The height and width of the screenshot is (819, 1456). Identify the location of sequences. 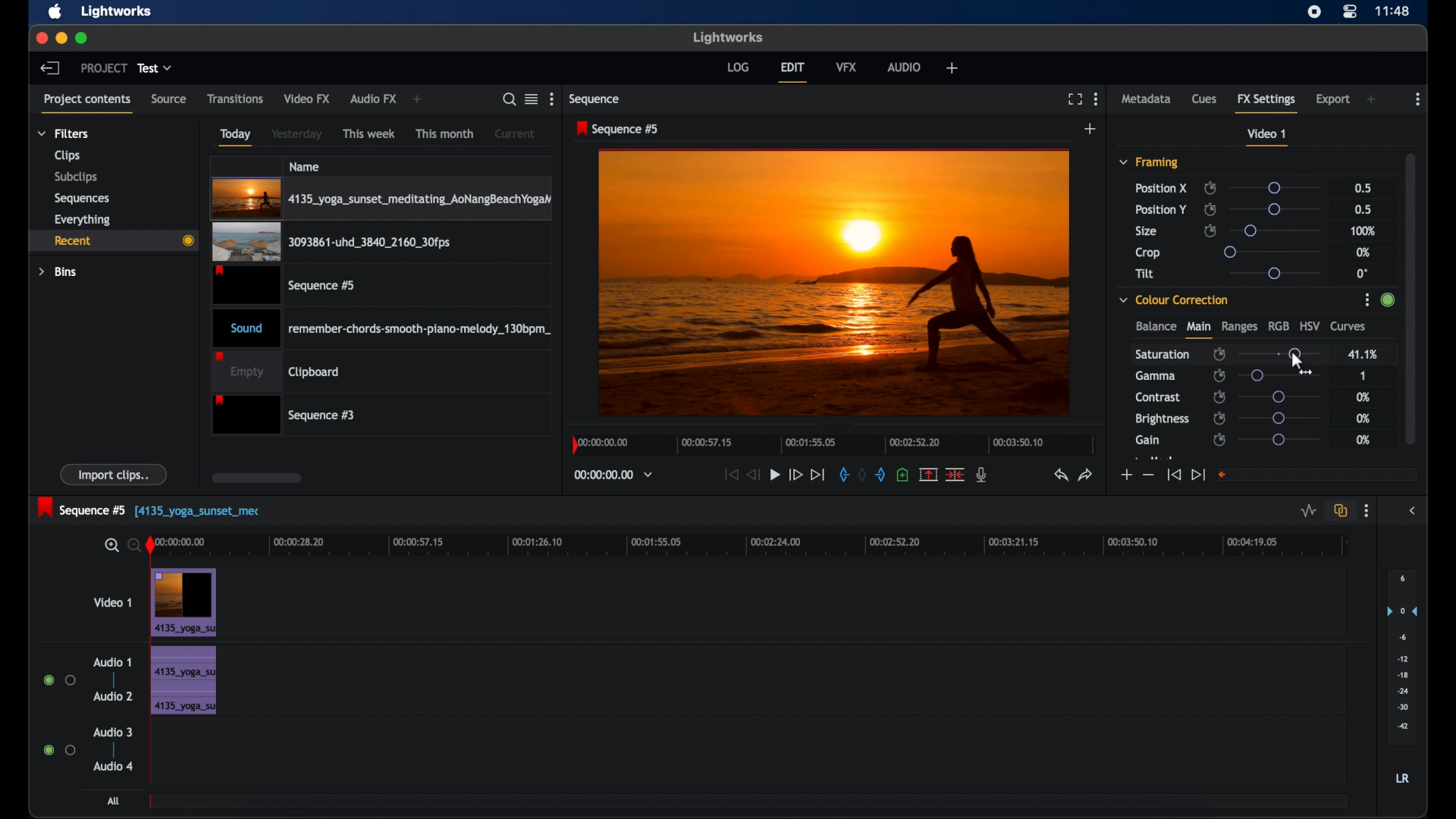
(82, 197).